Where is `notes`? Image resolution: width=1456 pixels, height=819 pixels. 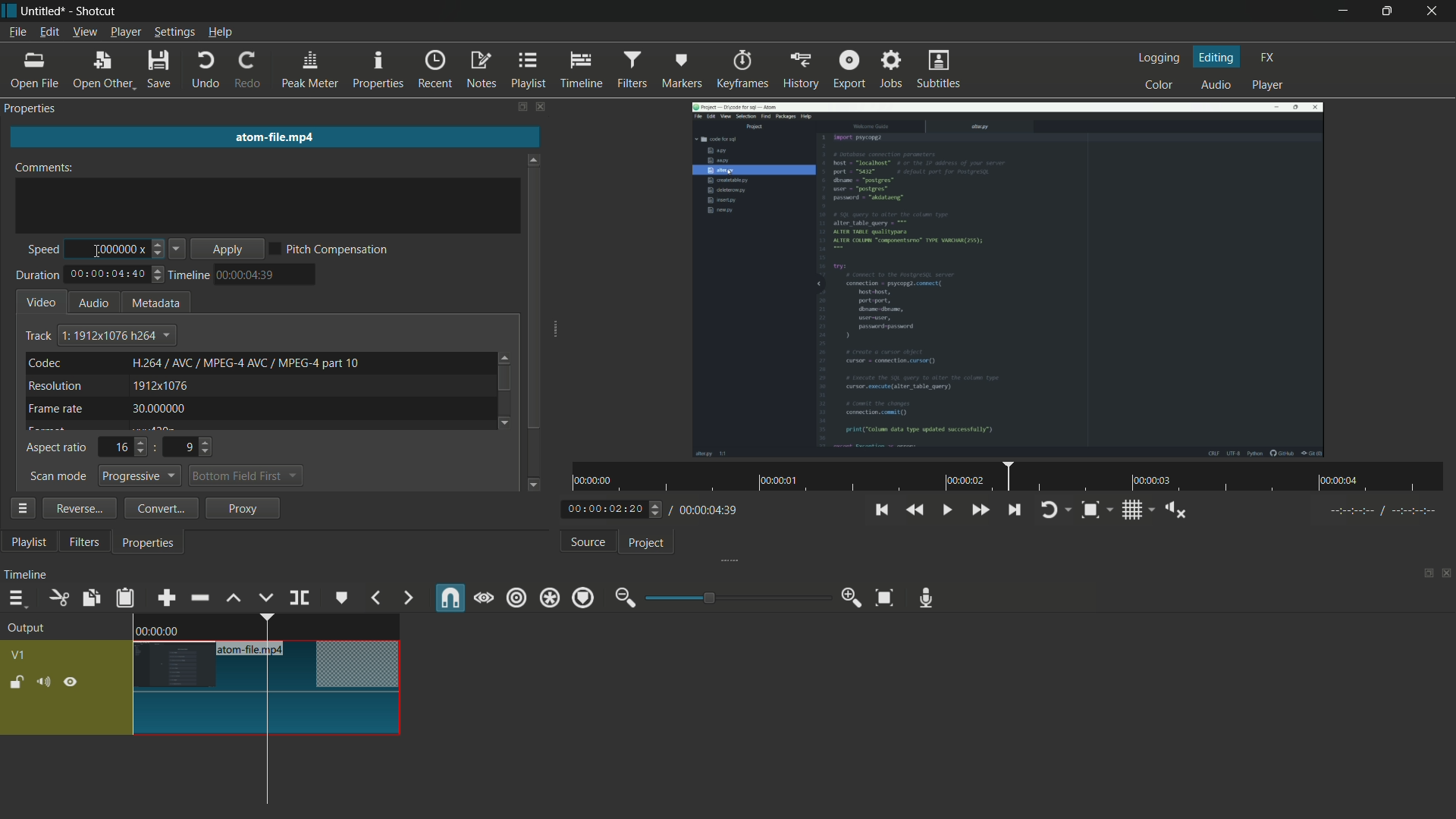 notes is located at coordinates (480, 71).